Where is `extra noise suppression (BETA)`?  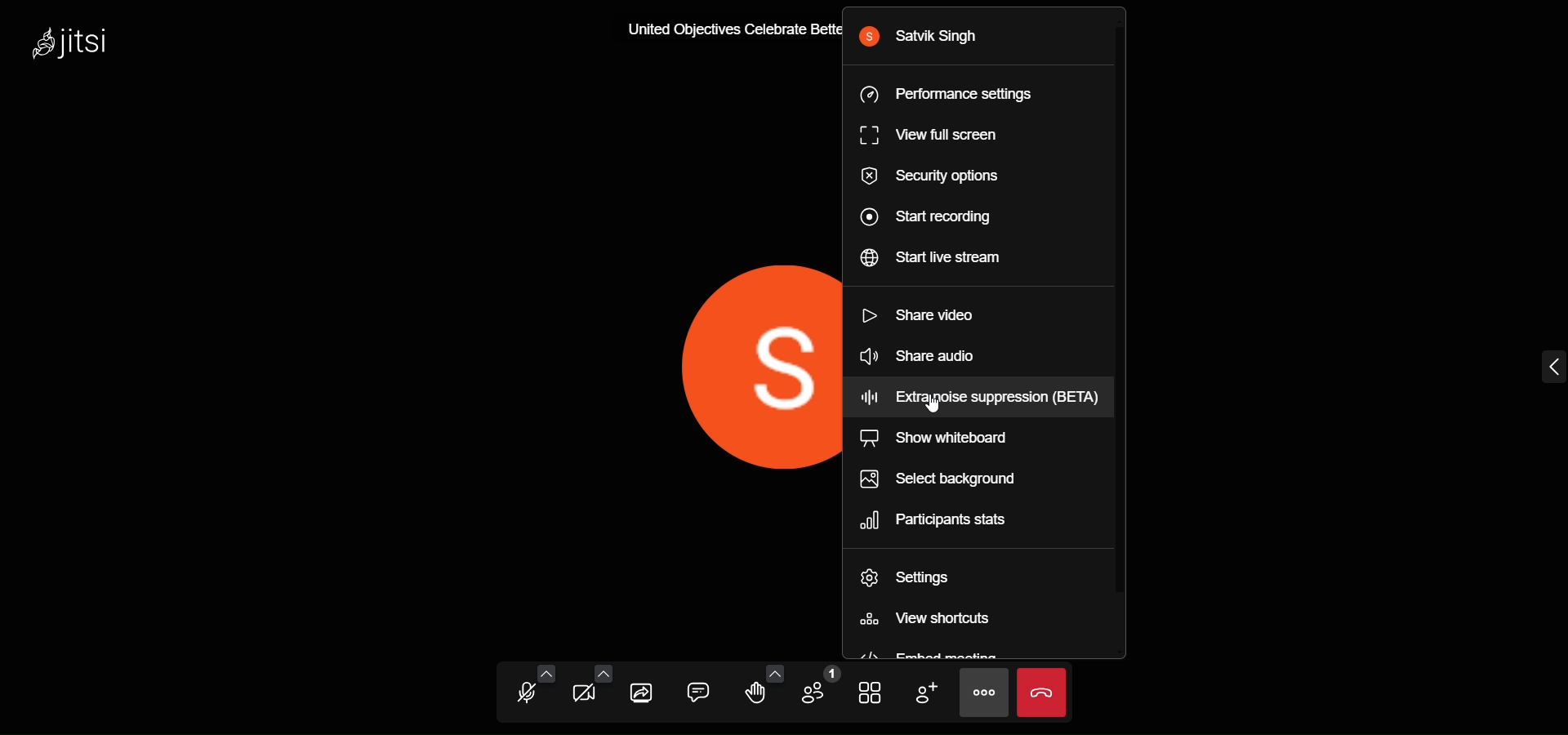 extra noise suppression (BETA) is located at coordinates (978, 399).